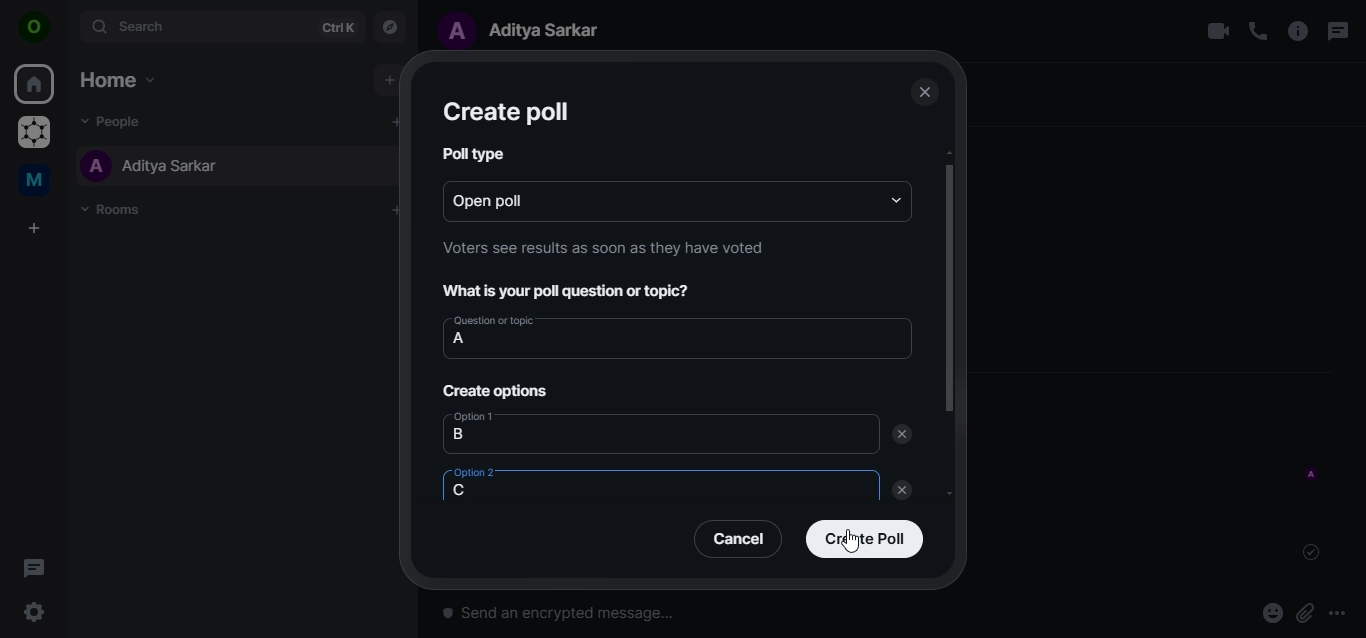 This screenshot has height=638, width=1366. I want to click on video call, so click(1217, 31).